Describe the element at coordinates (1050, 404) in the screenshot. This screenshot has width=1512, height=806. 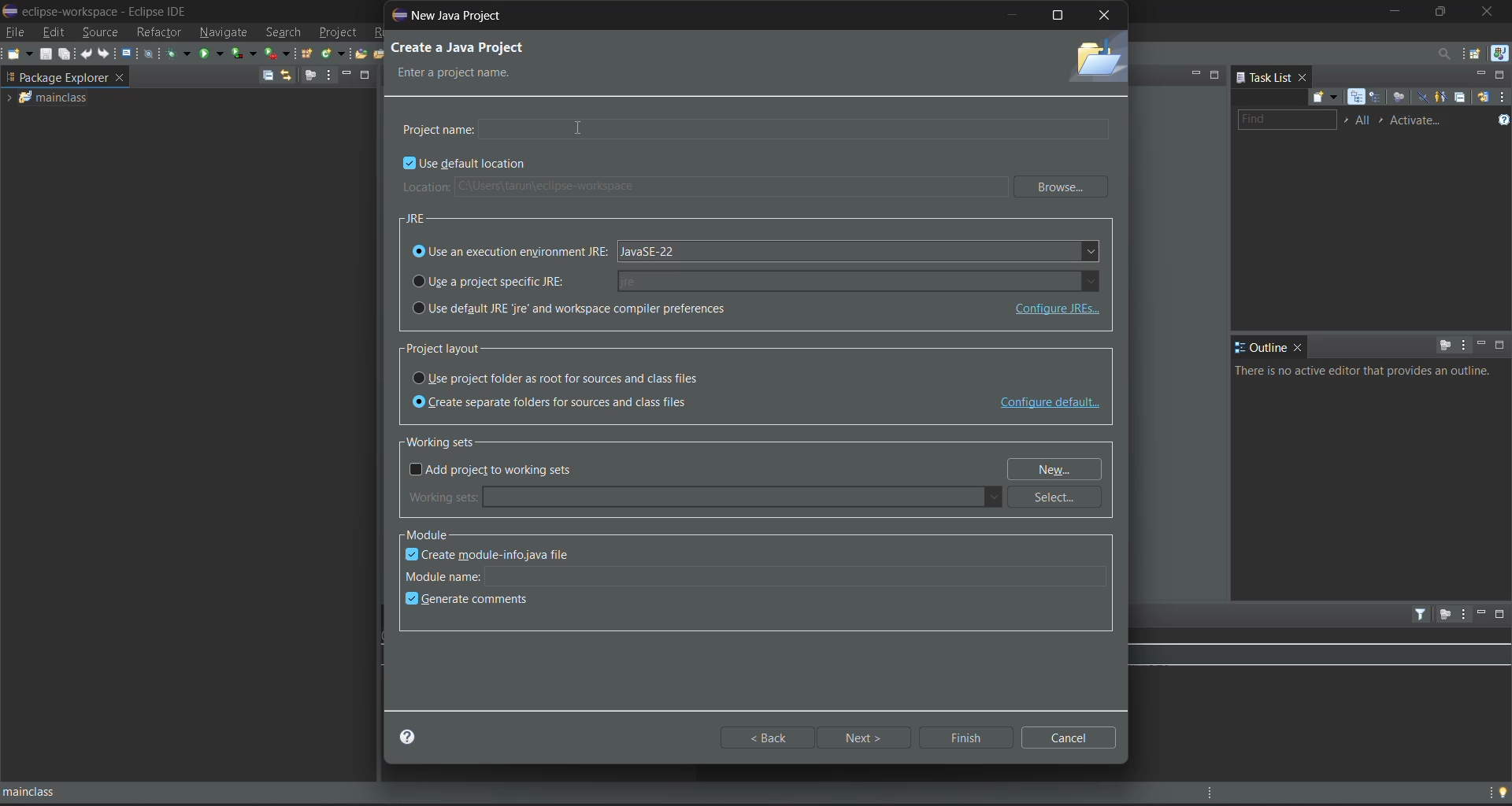
I see `configure default` at that location.